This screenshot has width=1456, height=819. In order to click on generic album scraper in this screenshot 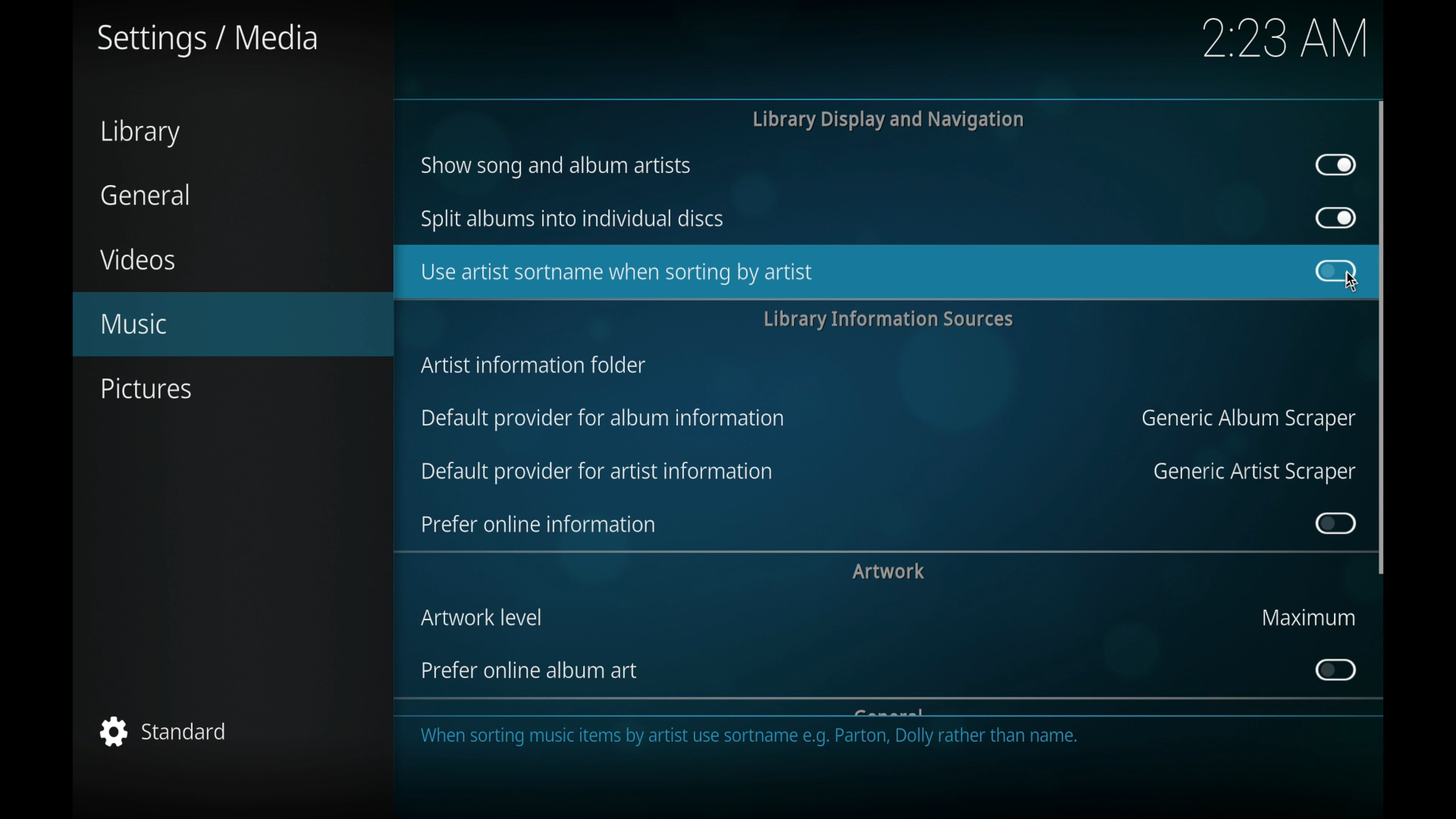, I will do `click(1245, 419)`.